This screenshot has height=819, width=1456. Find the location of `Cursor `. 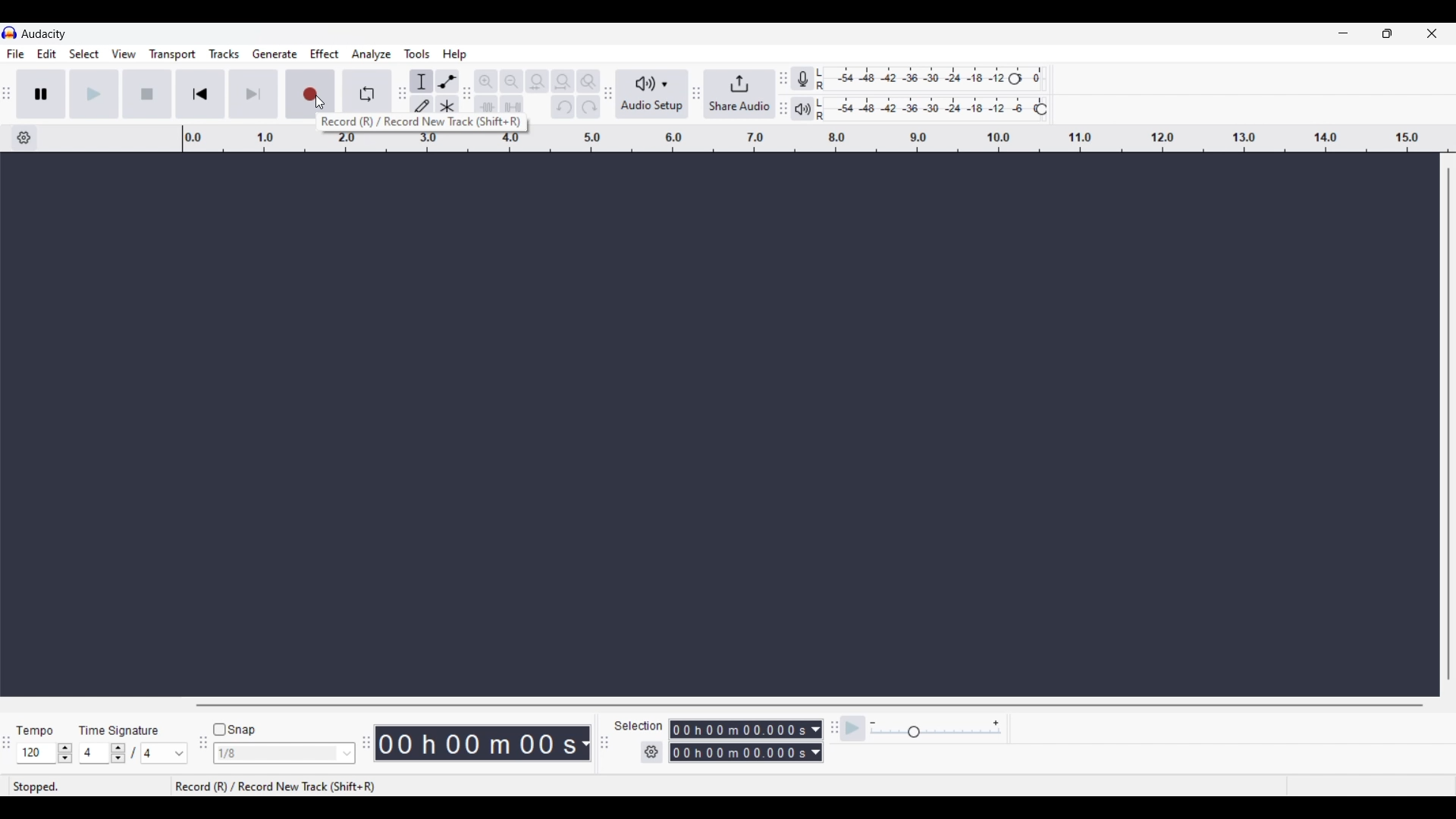

Cursor  is located at coordinates (322, 102).